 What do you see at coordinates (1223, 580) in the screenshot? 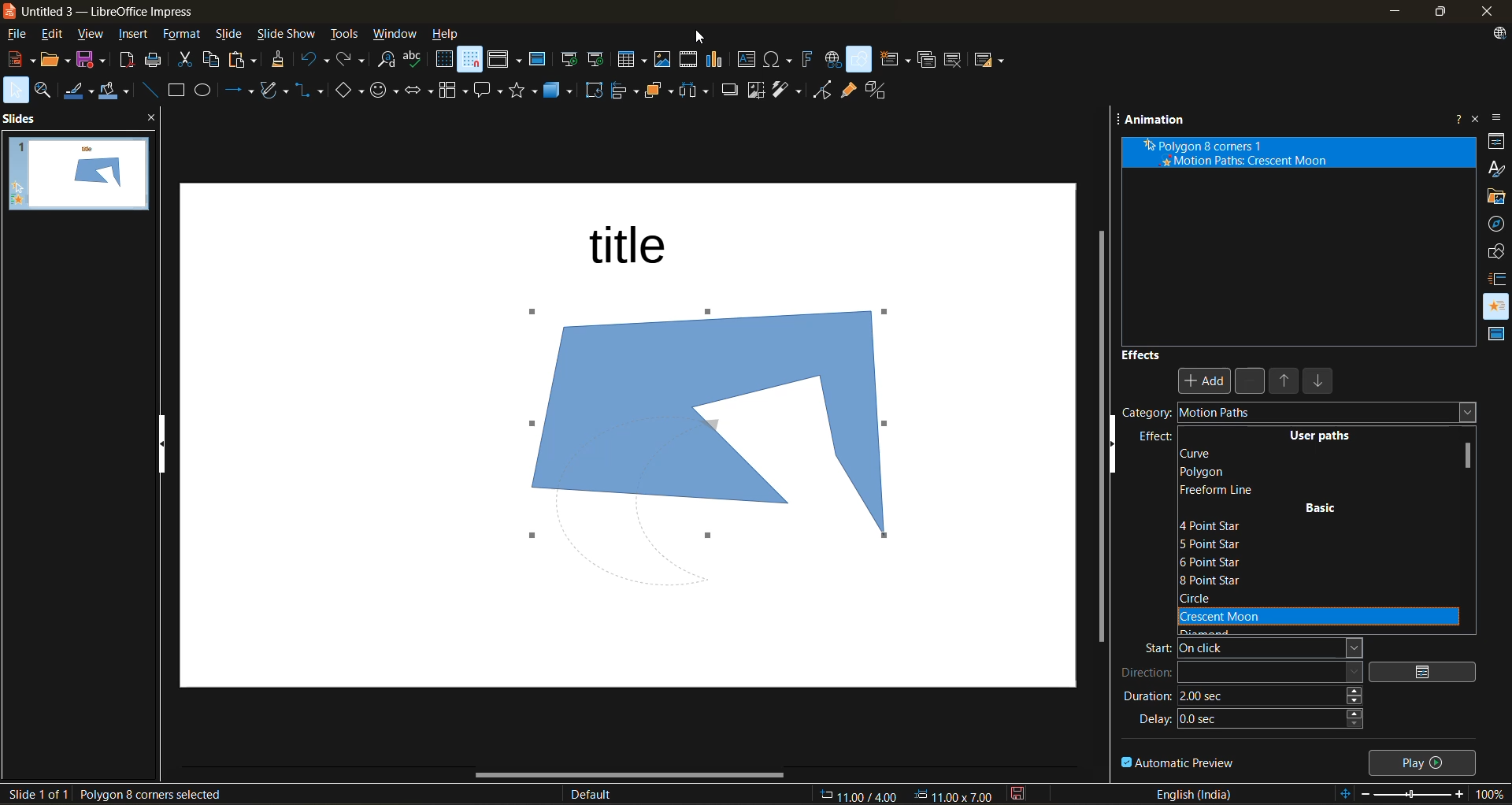
I see `8 point star` at bounding box center [1223, 580].